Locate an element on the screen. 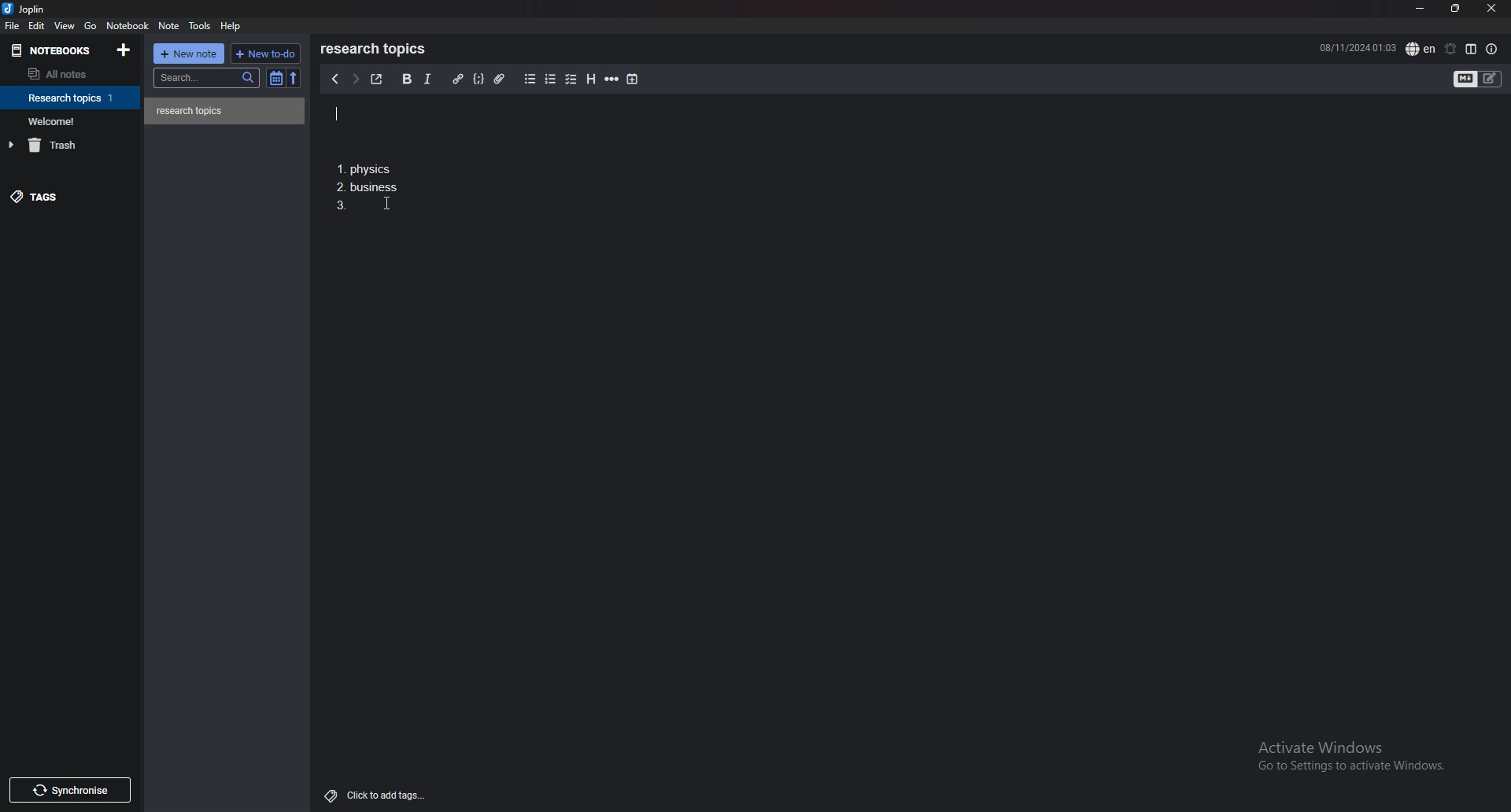  hyperlink is located at coordinates (457, 79).